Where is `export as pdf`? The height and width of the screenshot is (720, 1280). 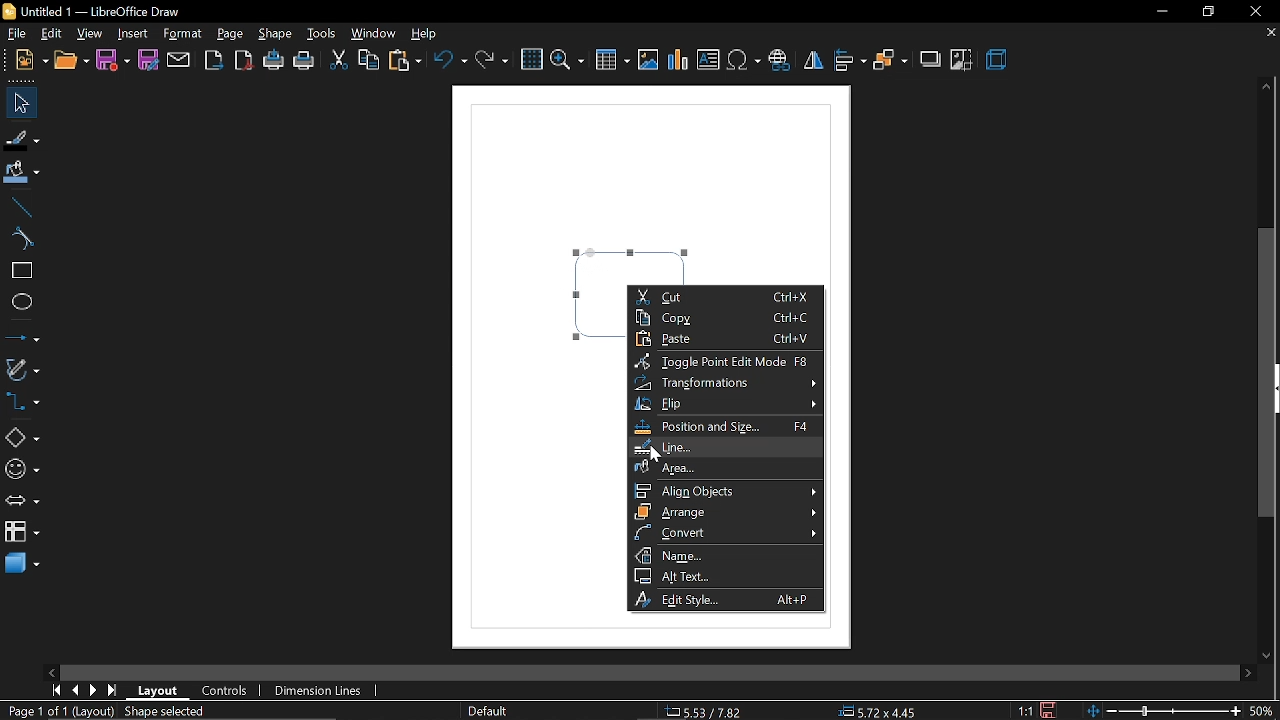 export as pdf is located at coordinates (245, 63).